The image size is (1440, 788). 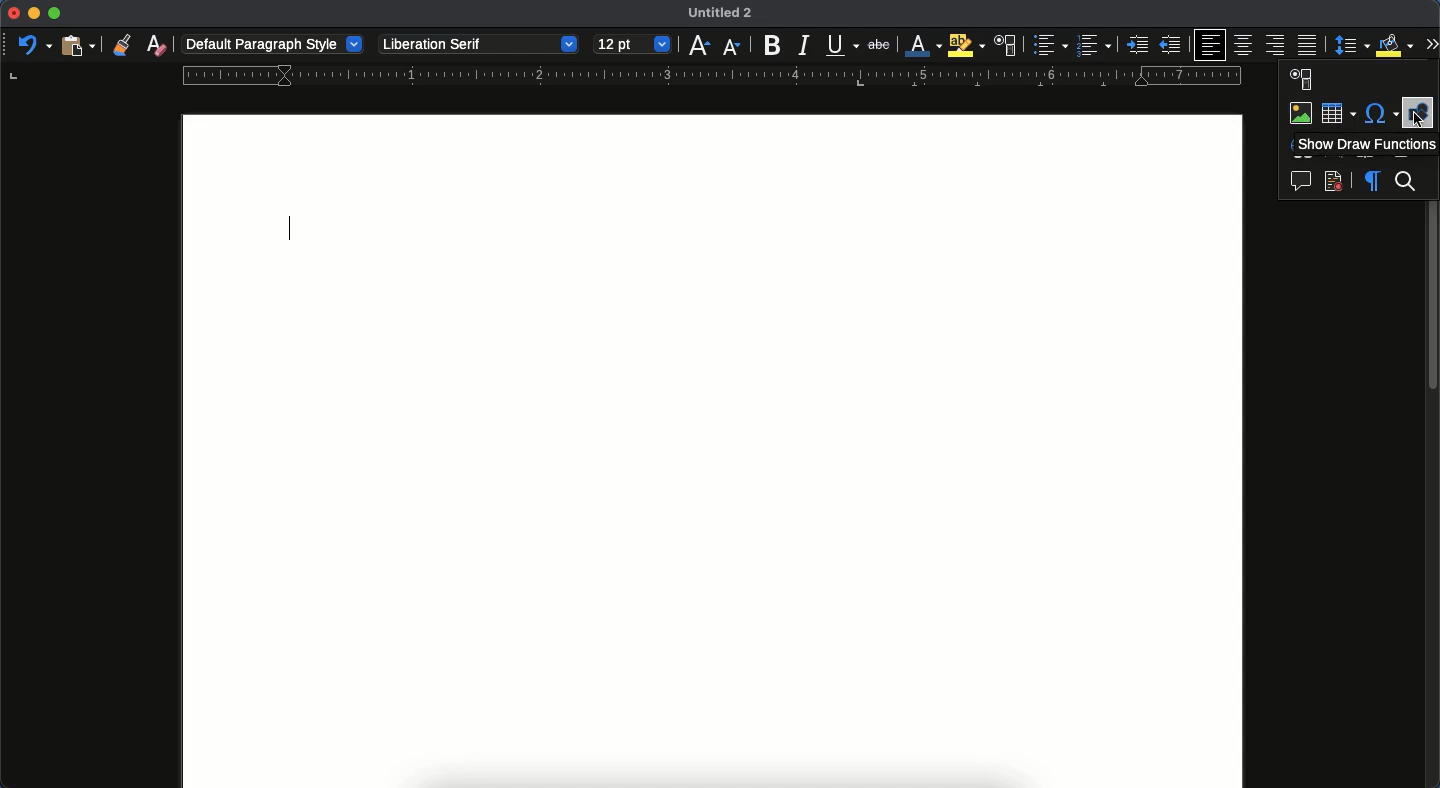 What do you see at coordinates (1276, 46) in the screenshot?
I see `right align` at bounding box center [1276, 46].